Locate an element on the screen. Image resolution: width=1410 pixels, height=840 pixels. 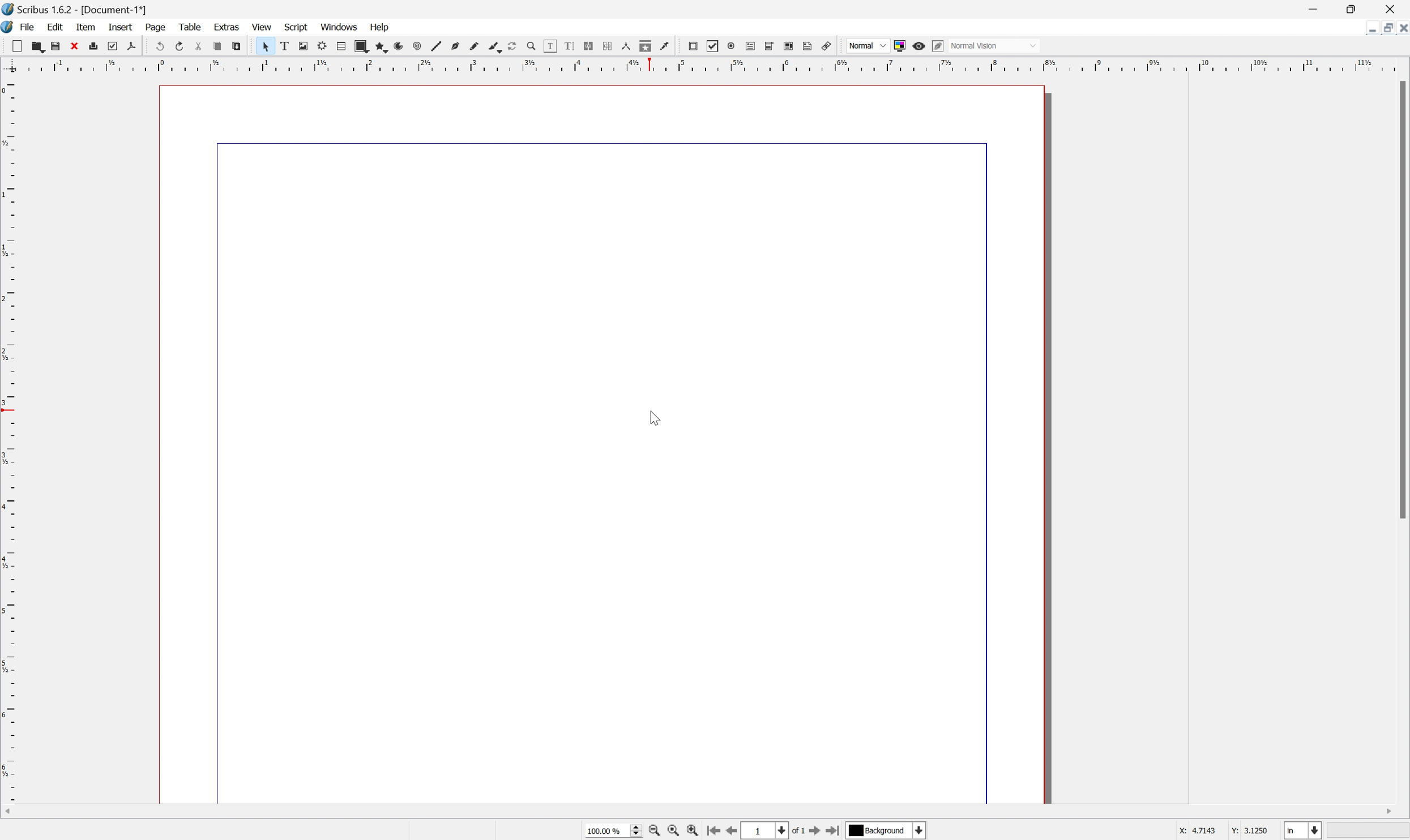
edit is located at coordinates (57, 27).